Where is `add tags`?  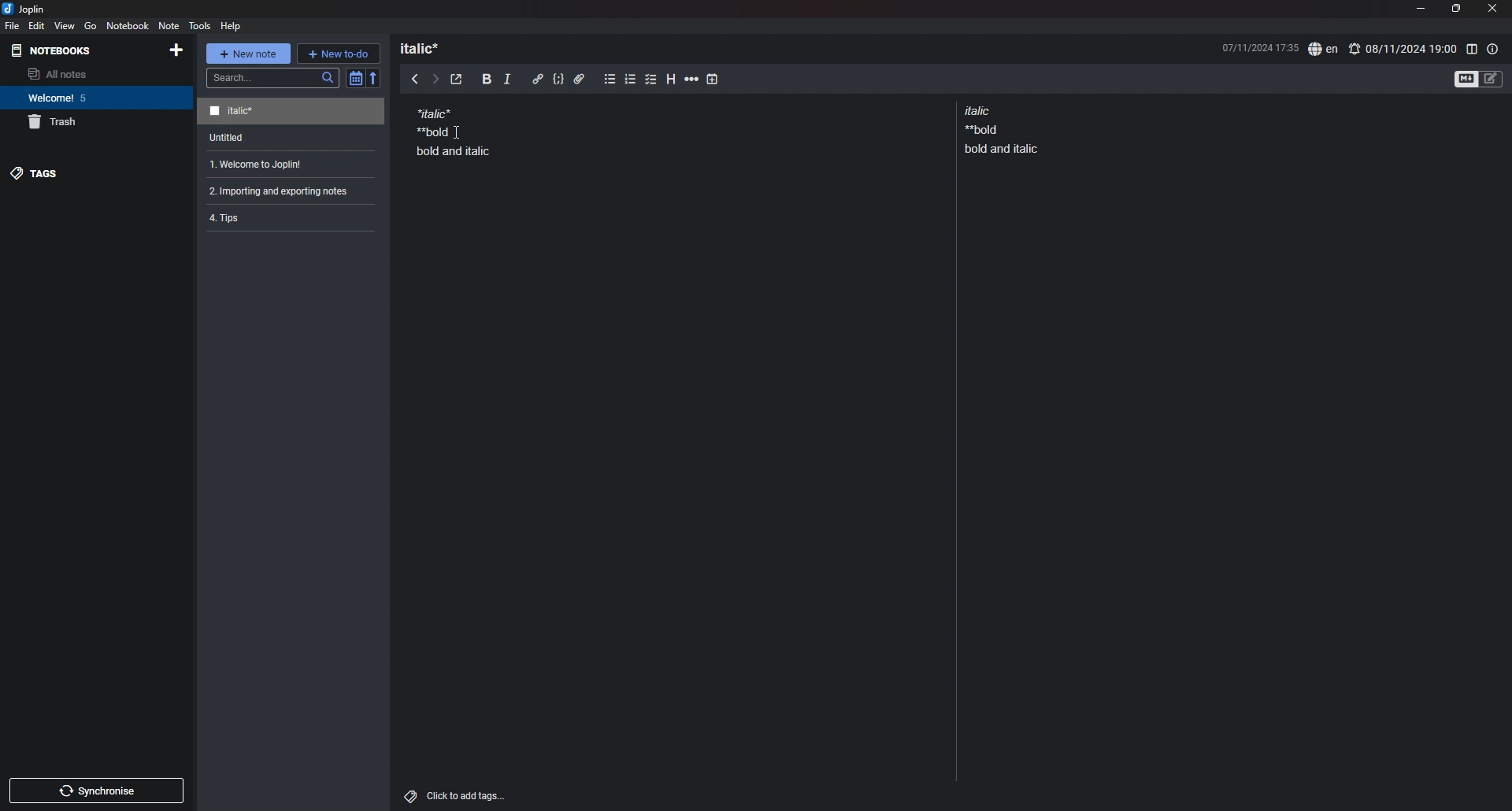
add tags is located at coordinates (457, 796).